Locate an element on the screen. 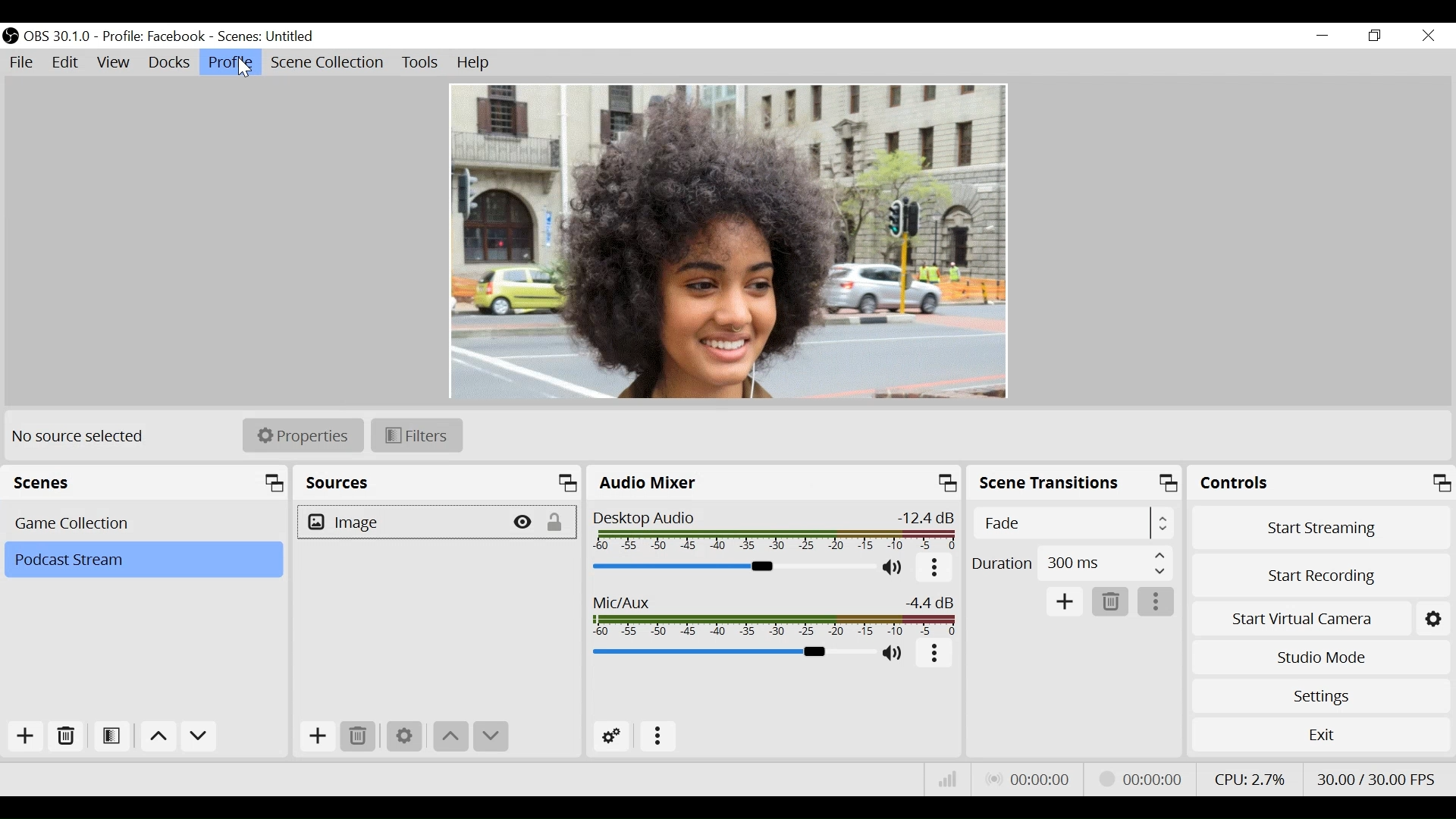 The height and width of the screenshot is (819, 1456). Scene Transition is located at coordinates (1075, 482).